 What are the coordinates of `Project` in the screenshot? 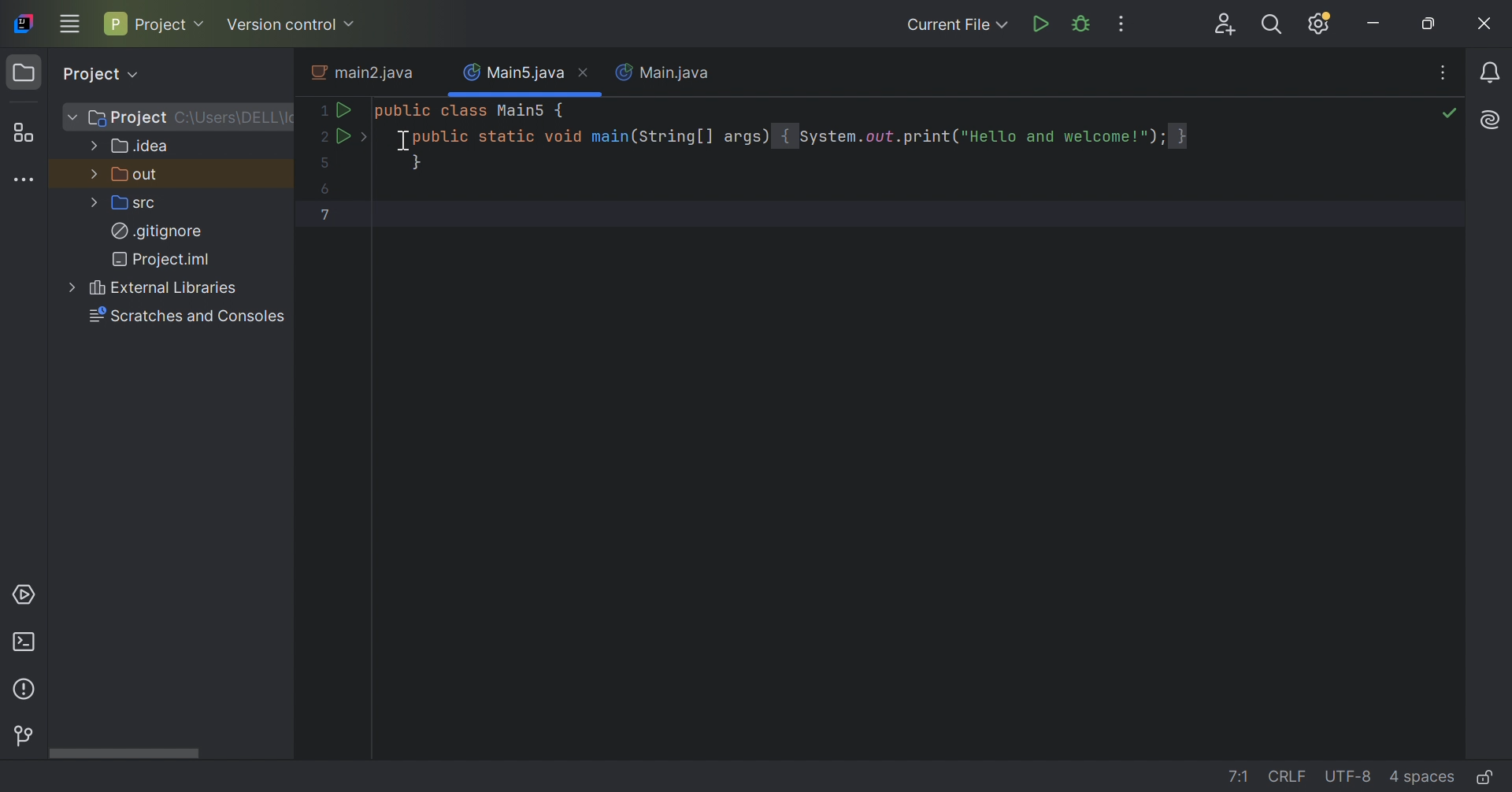 It's located at (127, 119).